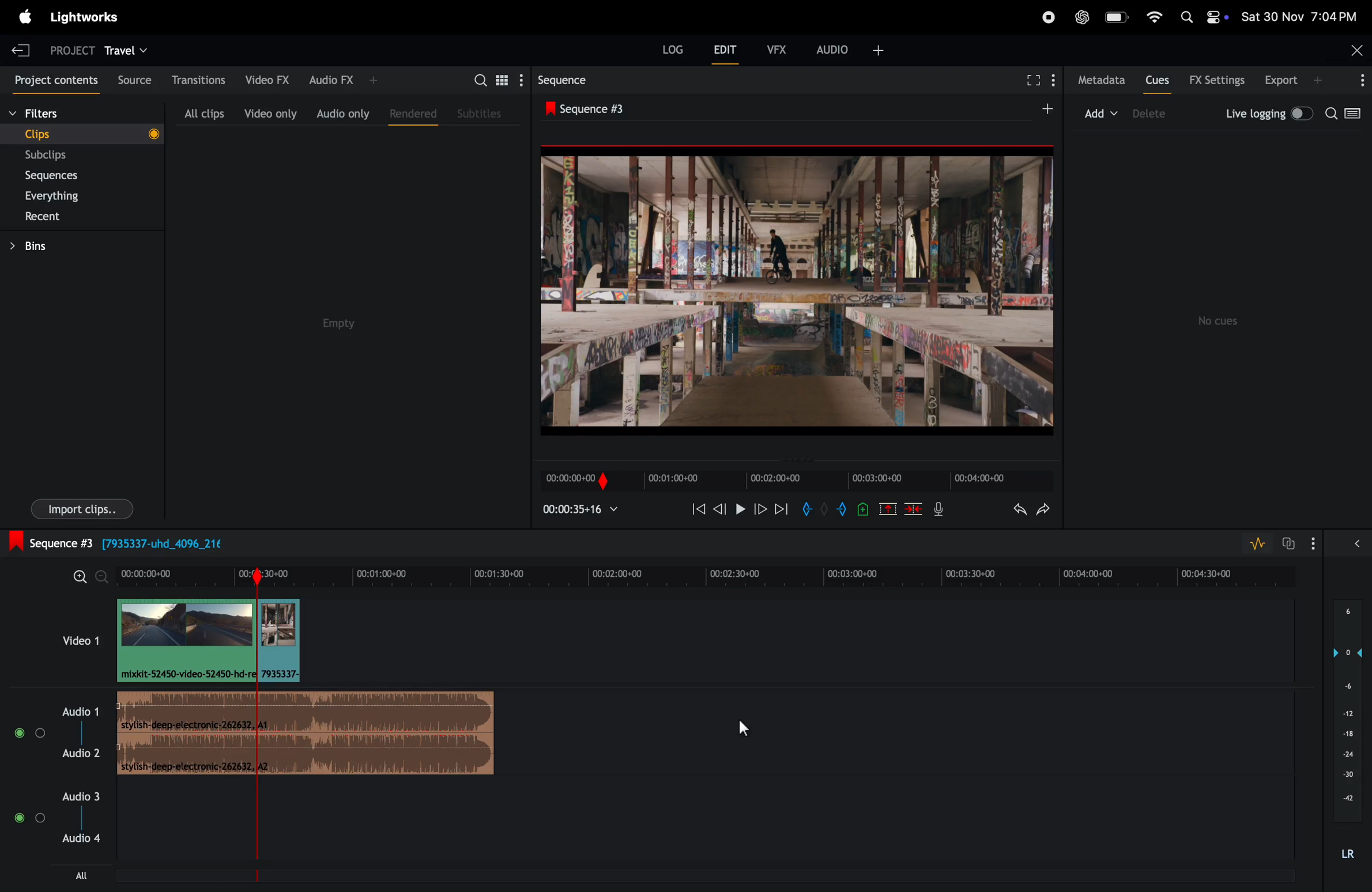  Describe the element at coordinates (194, 80) in the screenshot. I see `transitions` at that location.